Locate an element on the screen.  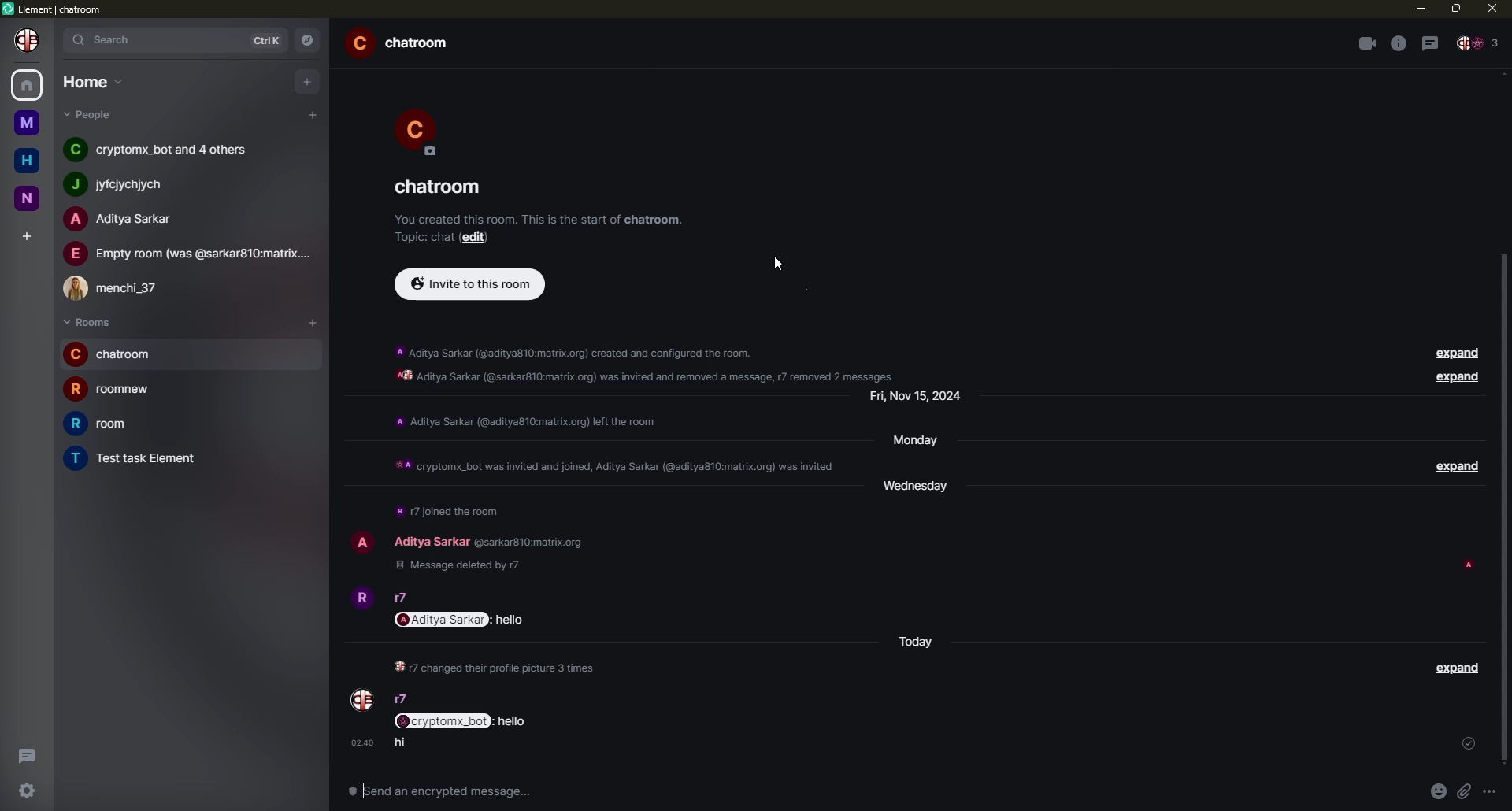
info is located at coordinates (497, 669).